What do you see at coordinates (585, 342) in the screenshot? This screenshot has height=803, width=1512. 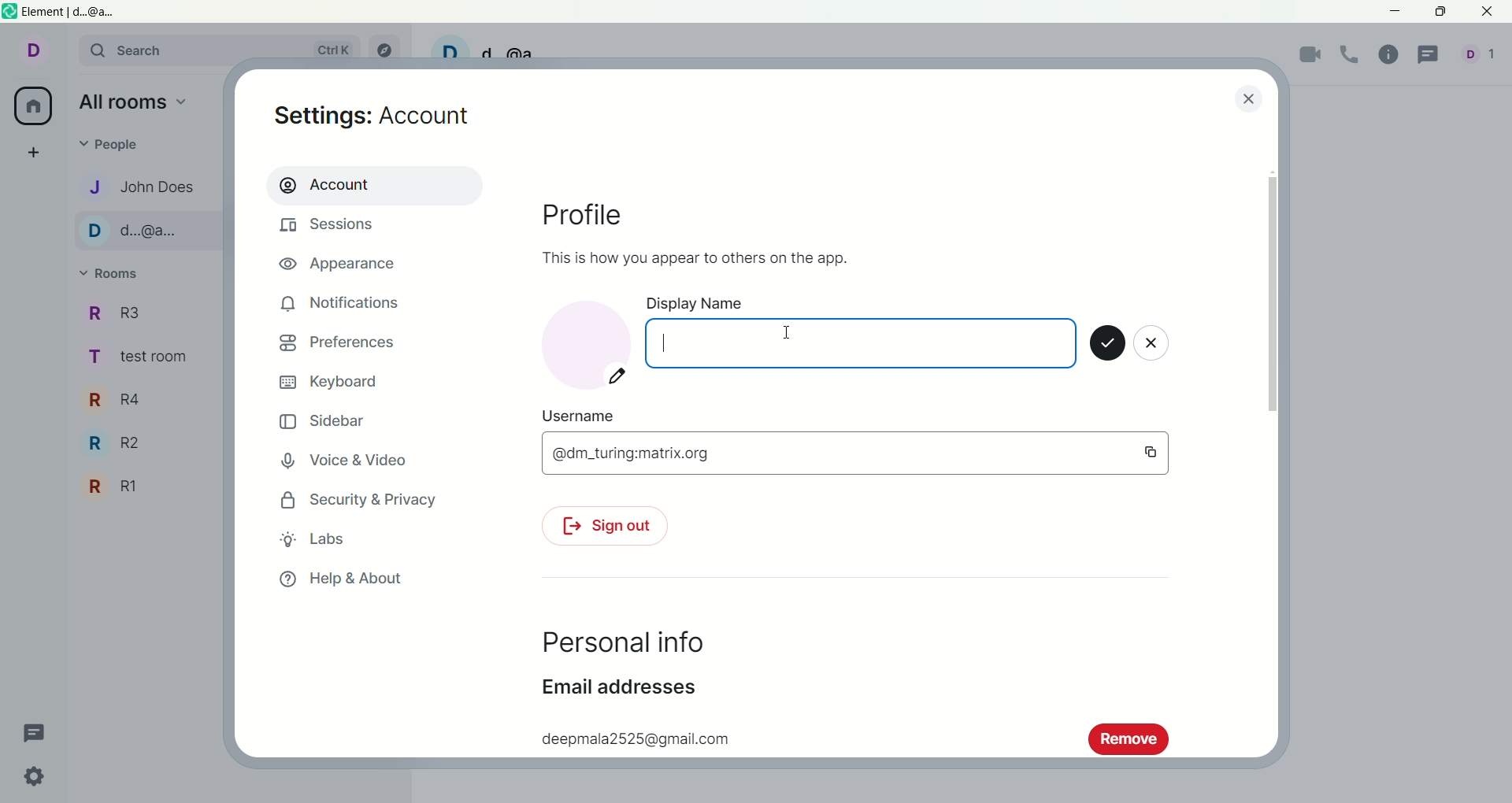 I see `account` at bounding box center [585, 342].